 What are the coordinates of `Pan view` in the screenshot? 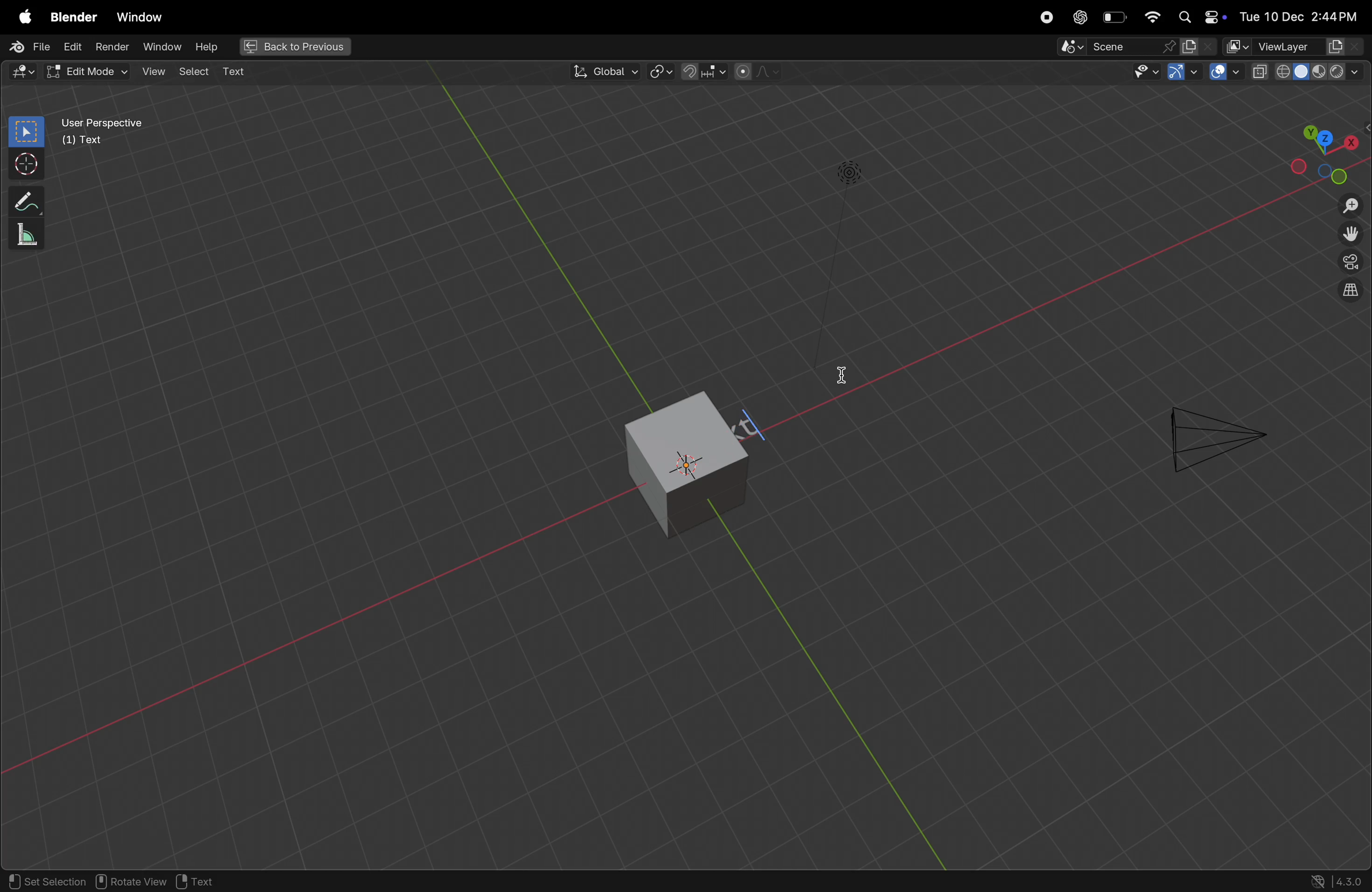 It's located at (131, 882).